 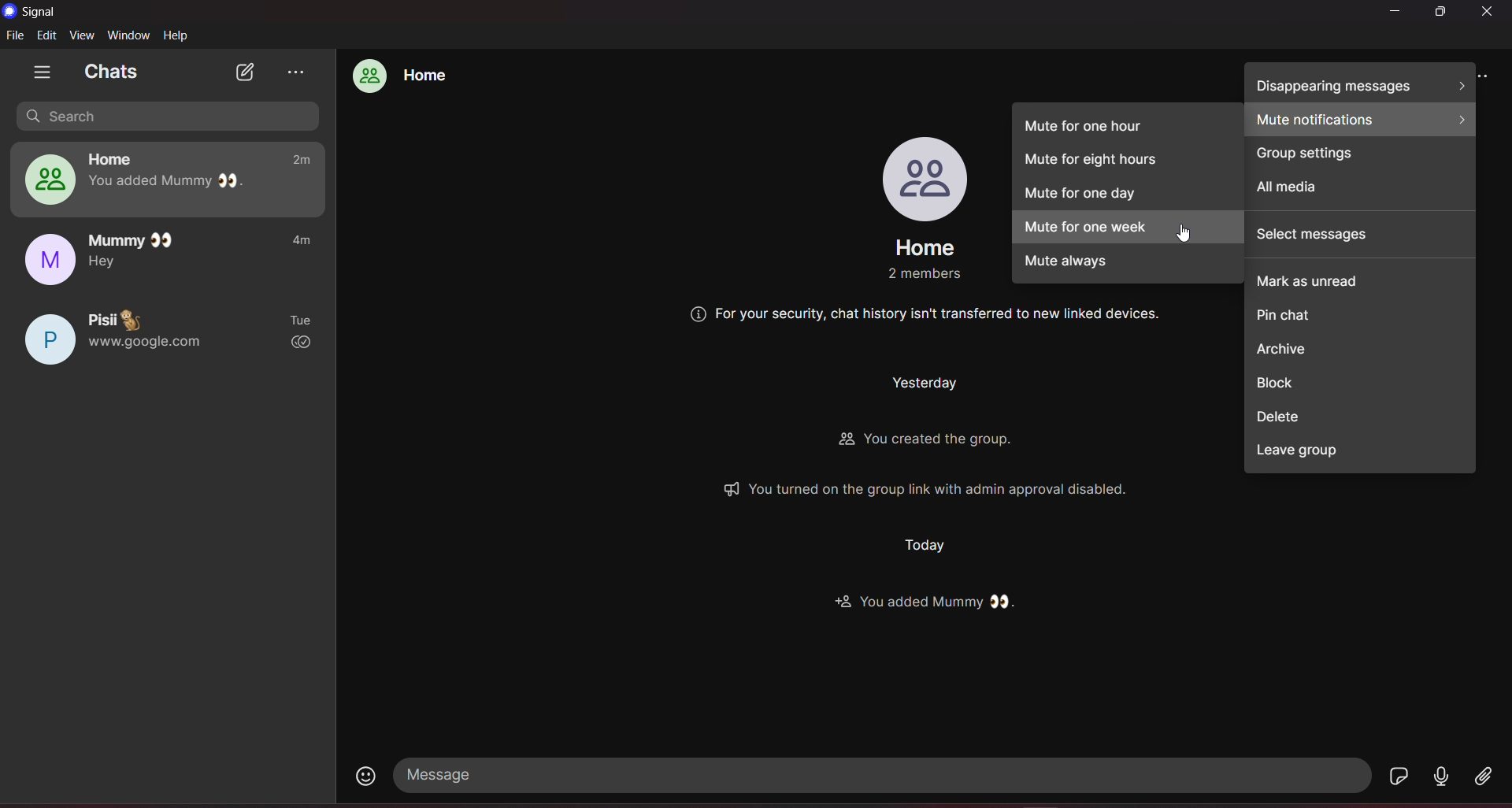 I want to click on , so click(x=922, y=386).